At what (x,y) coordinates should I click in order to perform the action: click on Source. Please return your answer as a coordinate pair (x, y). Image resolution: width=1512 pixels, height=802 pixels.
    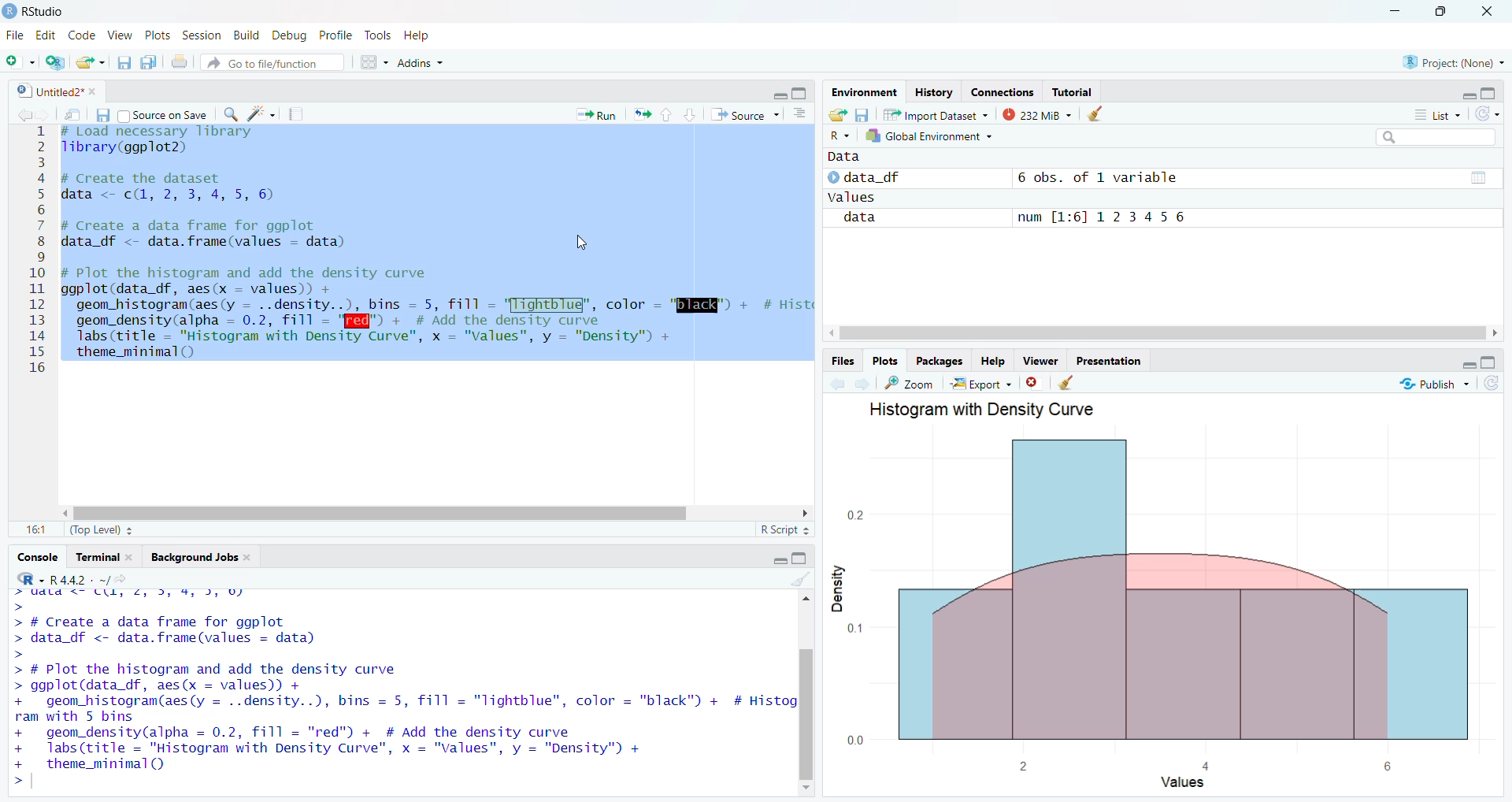
    Looking at the image, I should click on (745, 114).